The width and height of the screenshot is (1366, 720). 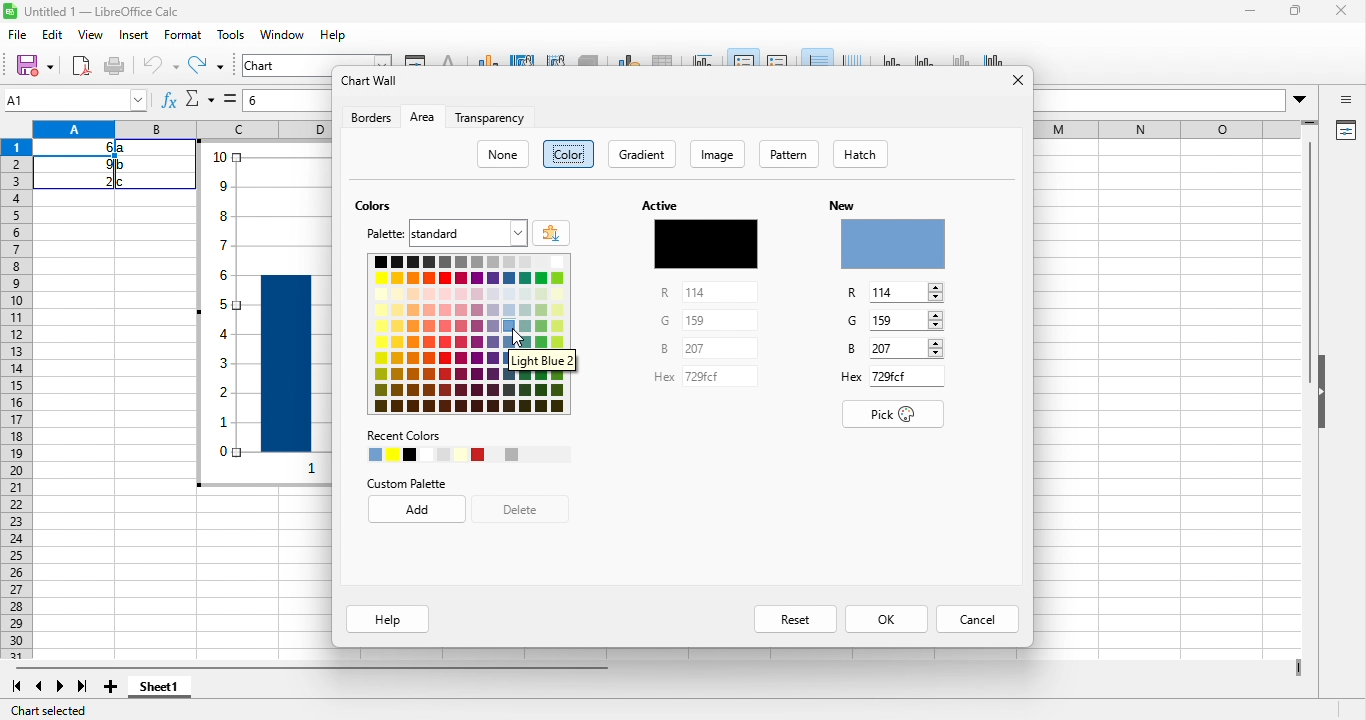 What do you see at coordinates (60, 689) in the screenshot?
I see `next` at bounding box center [60, 689].